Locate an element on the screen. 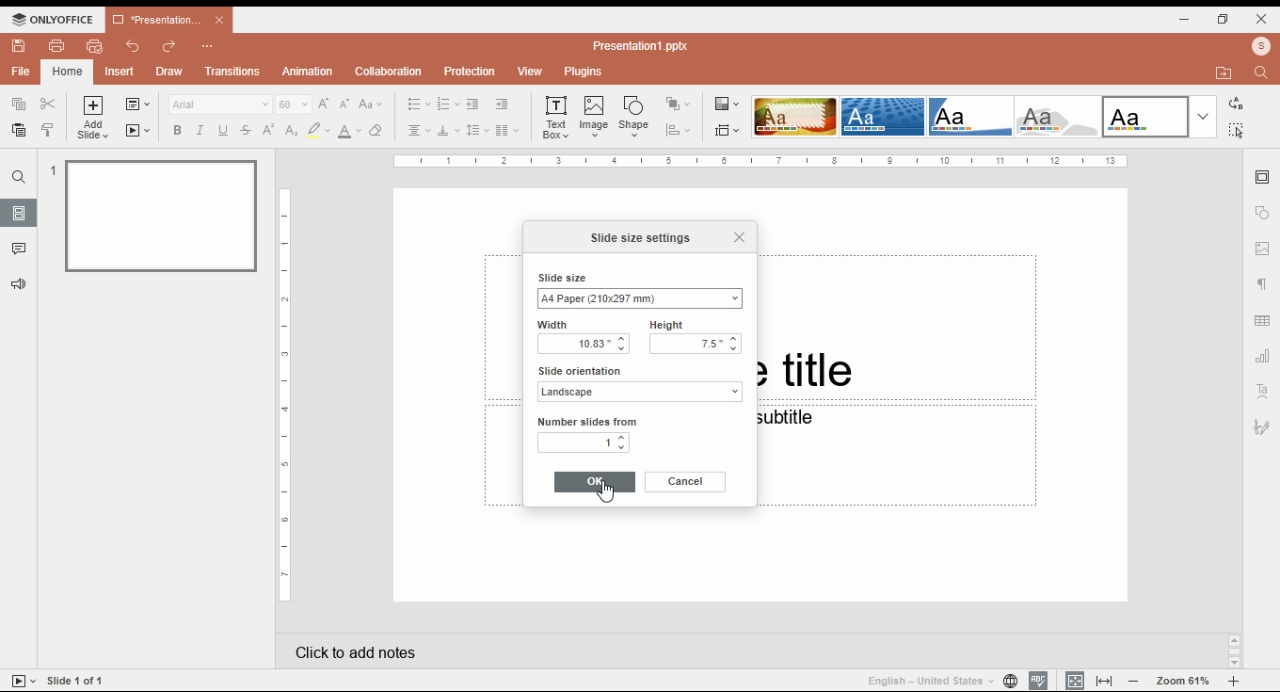  slide them option is located at coordinates (795, 116).